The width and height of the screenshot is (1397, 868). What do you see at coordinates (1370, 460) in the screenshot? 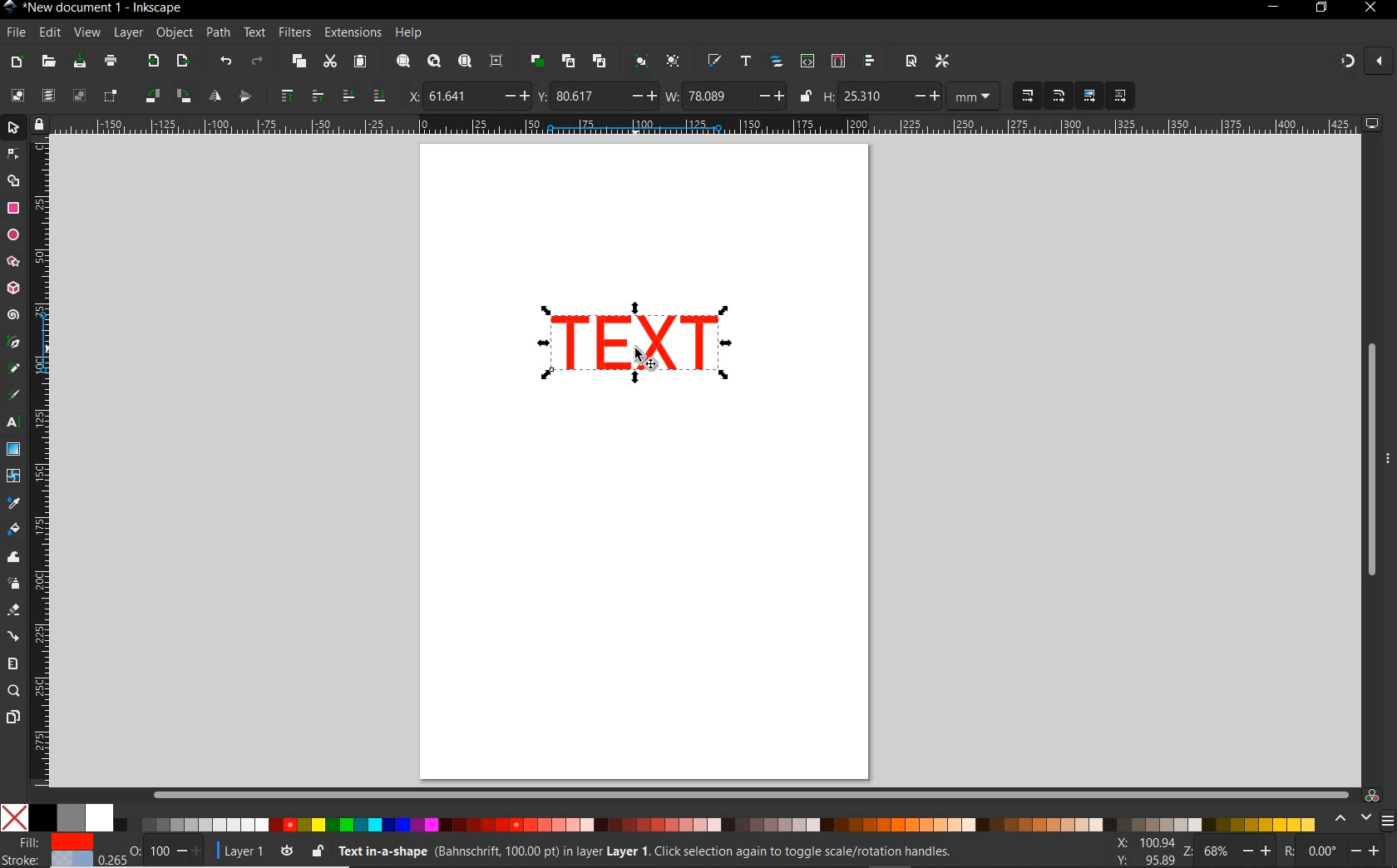
I see `scrollbar` at bounding box center [1370, 460].